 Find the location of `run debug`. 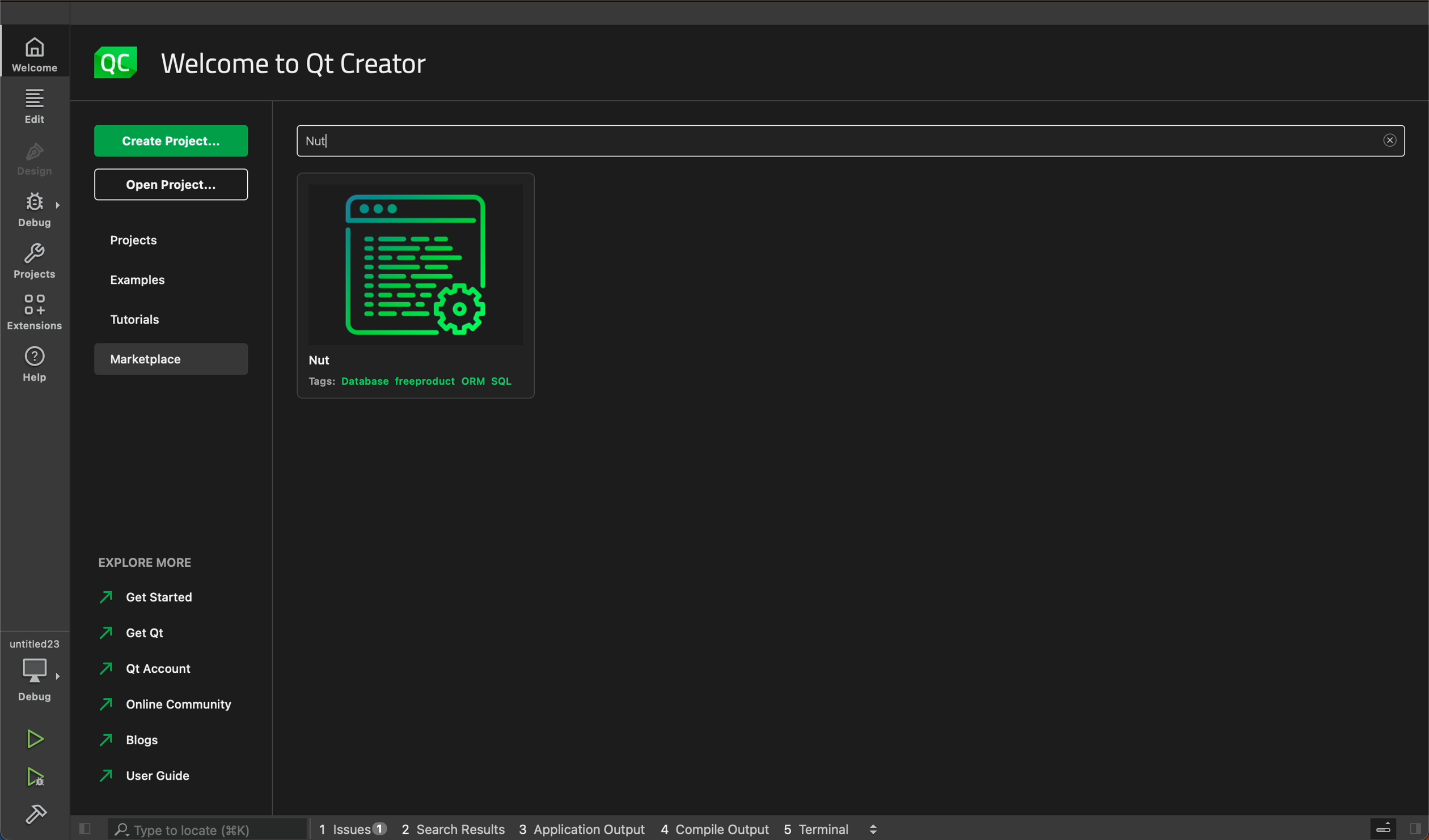

run debug is located at coordinates (34, 781).